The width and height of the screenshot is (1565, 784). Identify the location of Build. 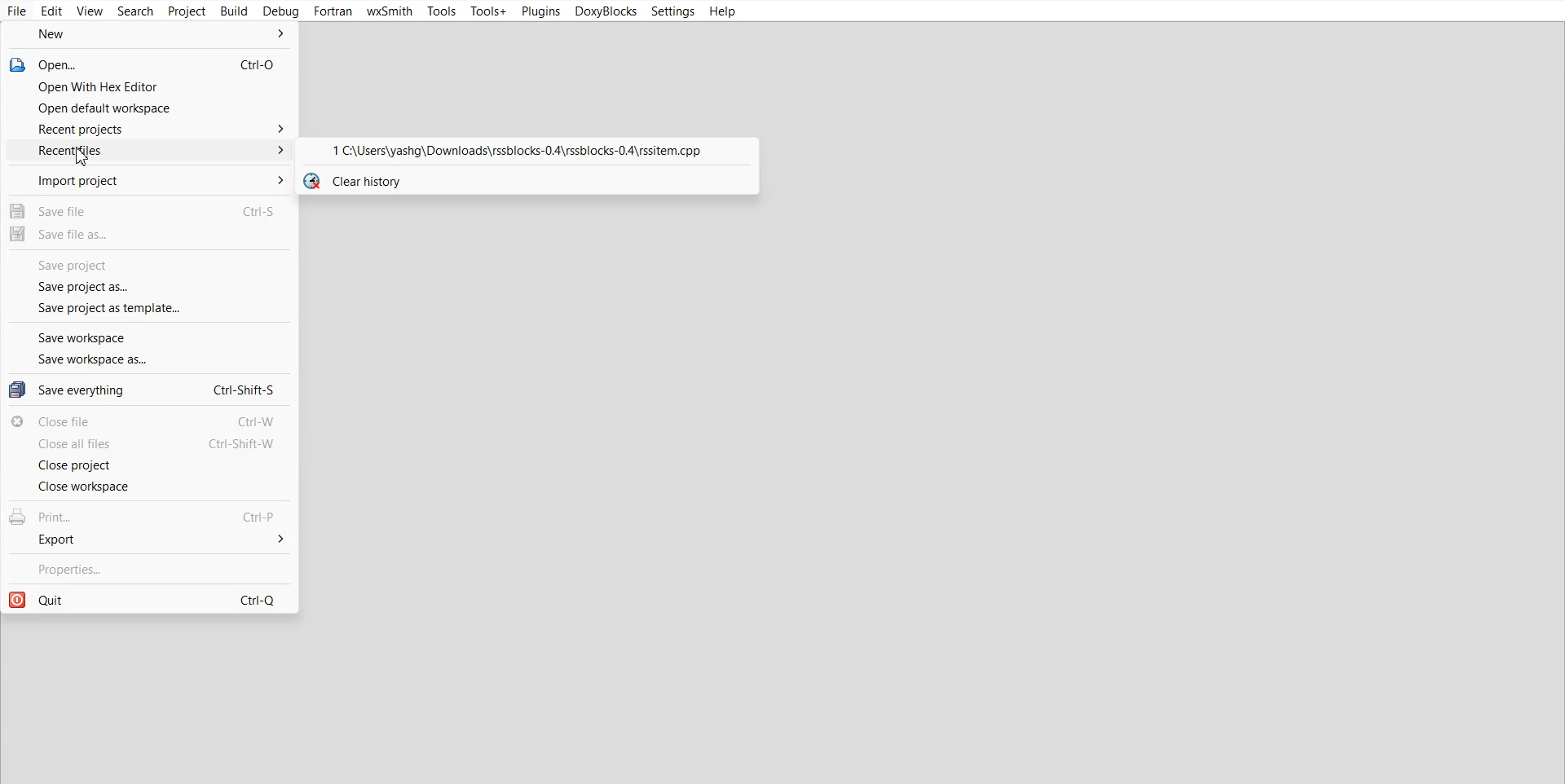
(234, 11).